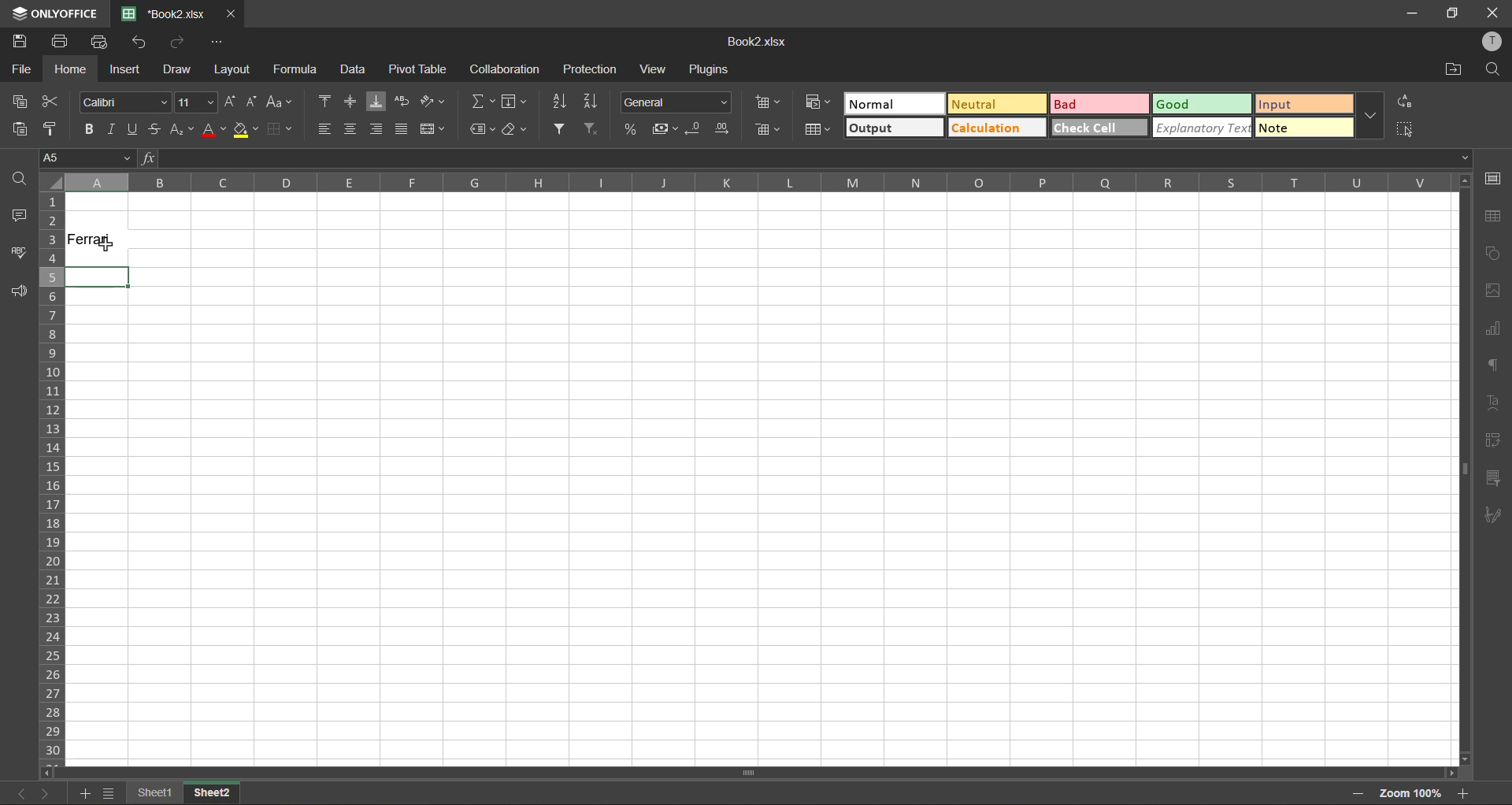 The width and height of the screenshot is (1512, 805). What do you see at coordinates (139, 43) in the screenshot?
I see `undo` at bounding box center [139, 43].